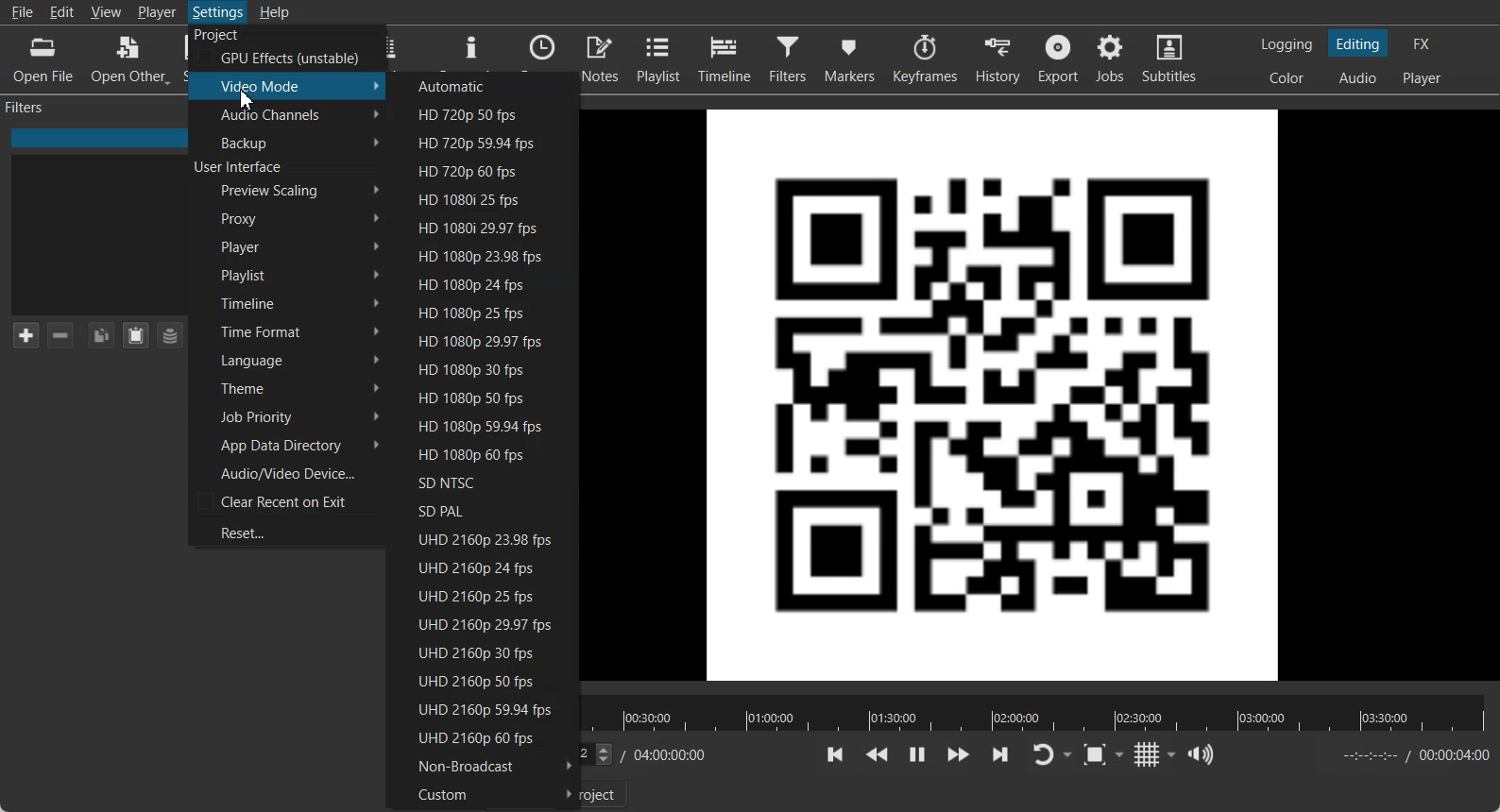  What do you see at coordinates (1203, 754) in the screenshot?
I see `Show the volume control` at bounding box center [1203, 754].